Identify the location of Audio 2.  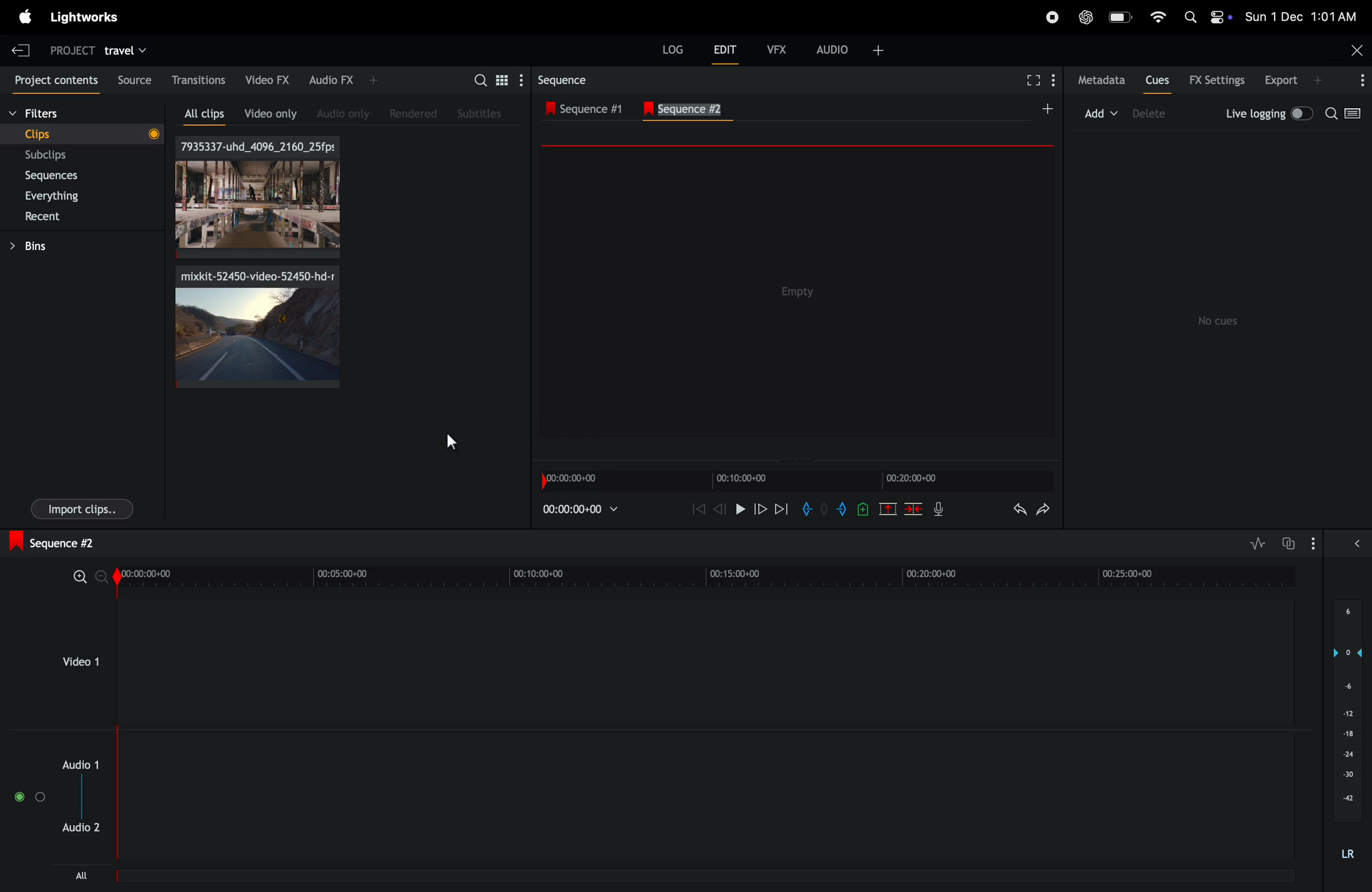
(84, 833).